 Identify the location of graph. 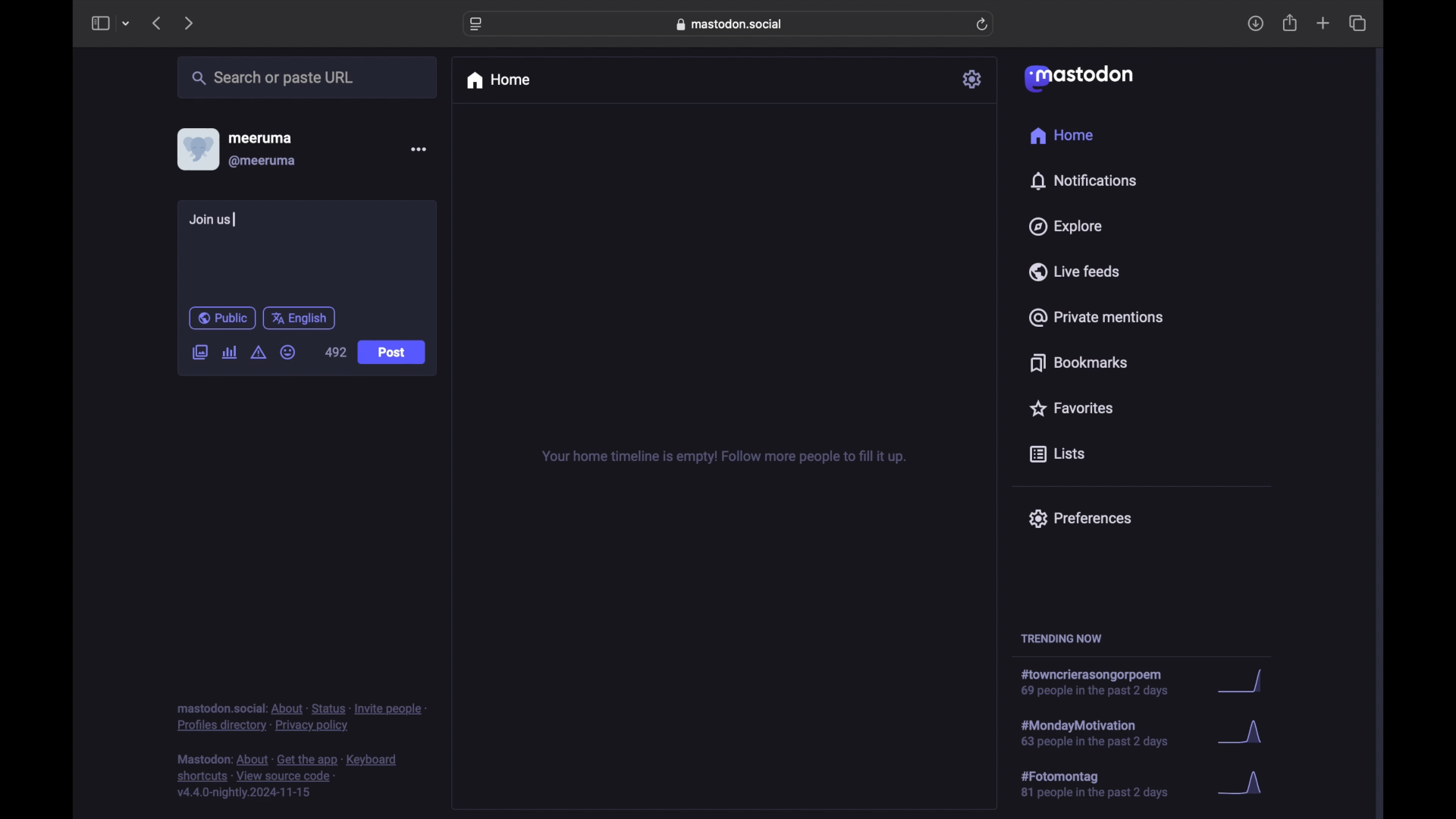
(1240, 734).